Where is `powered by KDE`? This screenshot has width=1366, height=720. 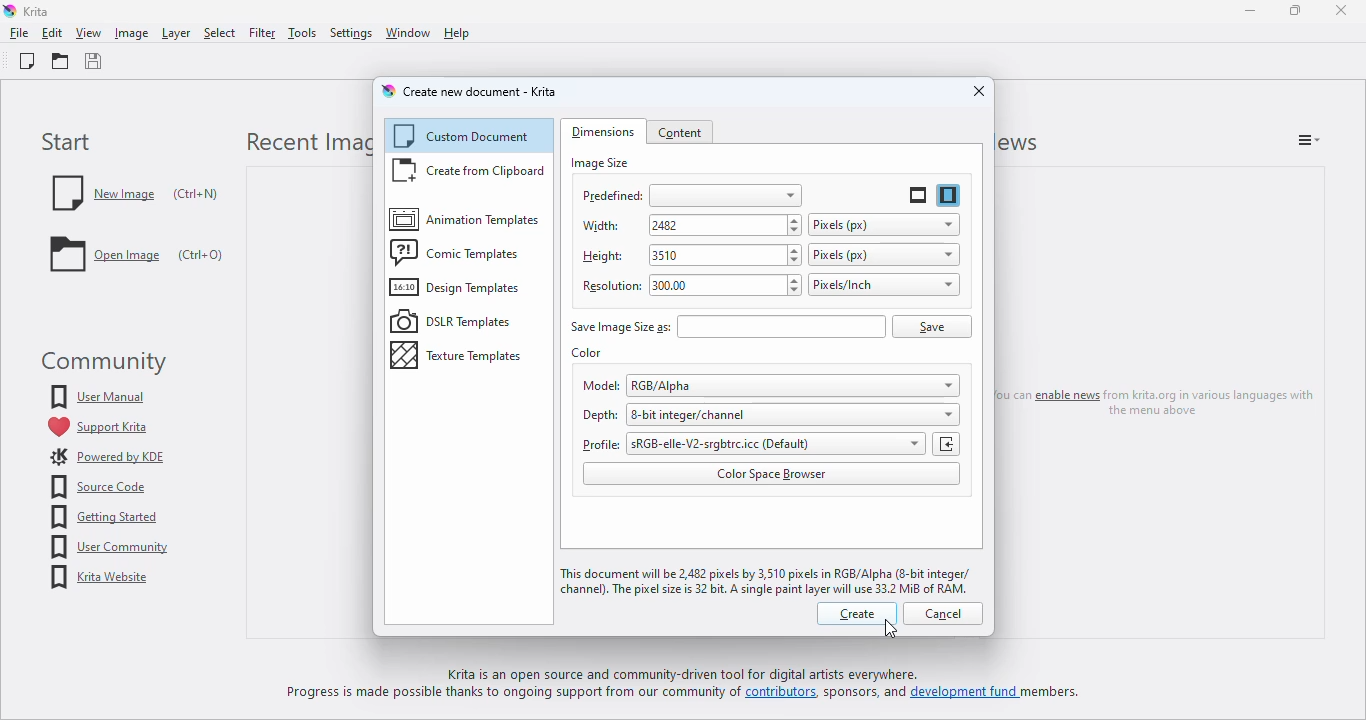
powered by KDE is located at coordinates (107, 457).